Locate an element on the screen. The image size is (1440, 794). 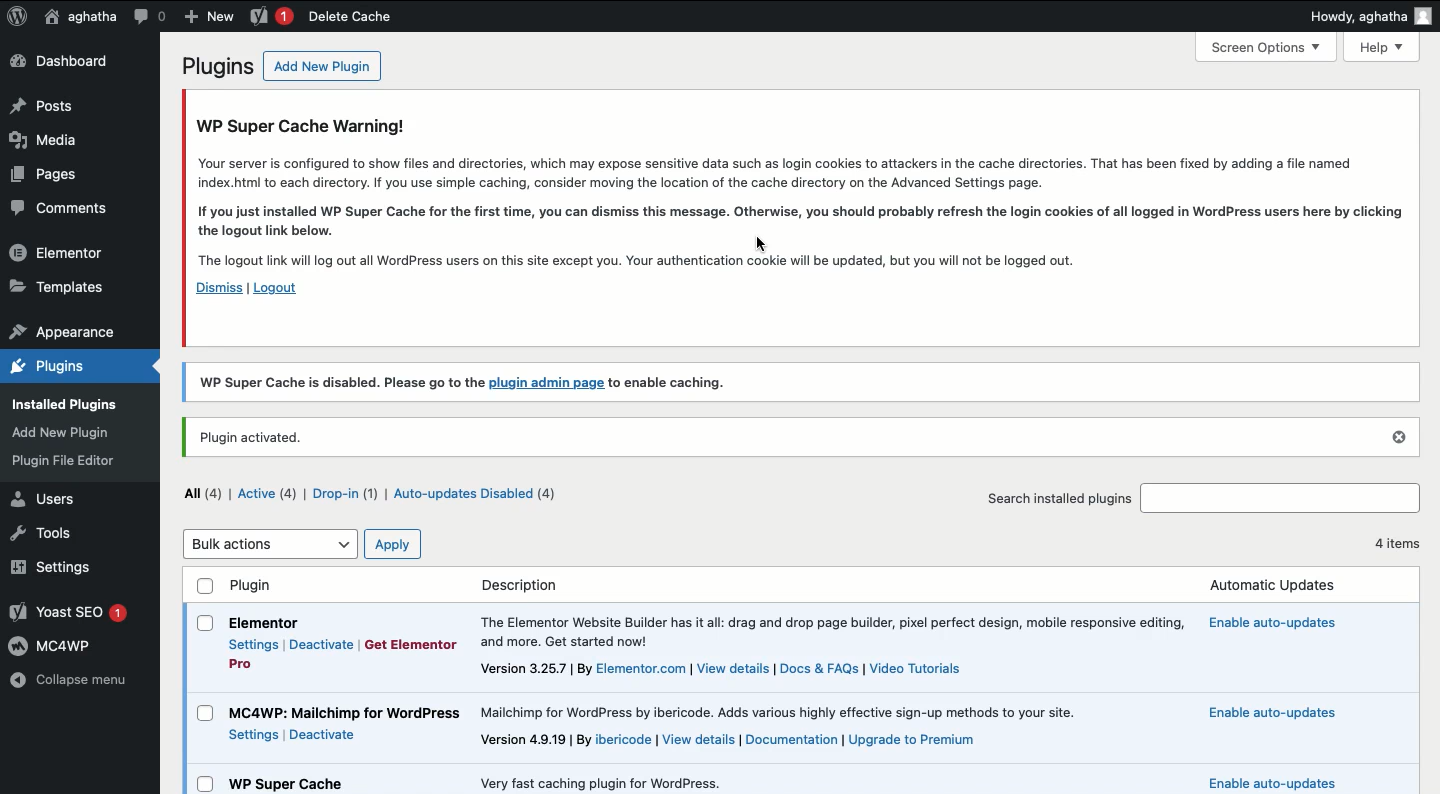
Users is located at coordinates (50, 498).